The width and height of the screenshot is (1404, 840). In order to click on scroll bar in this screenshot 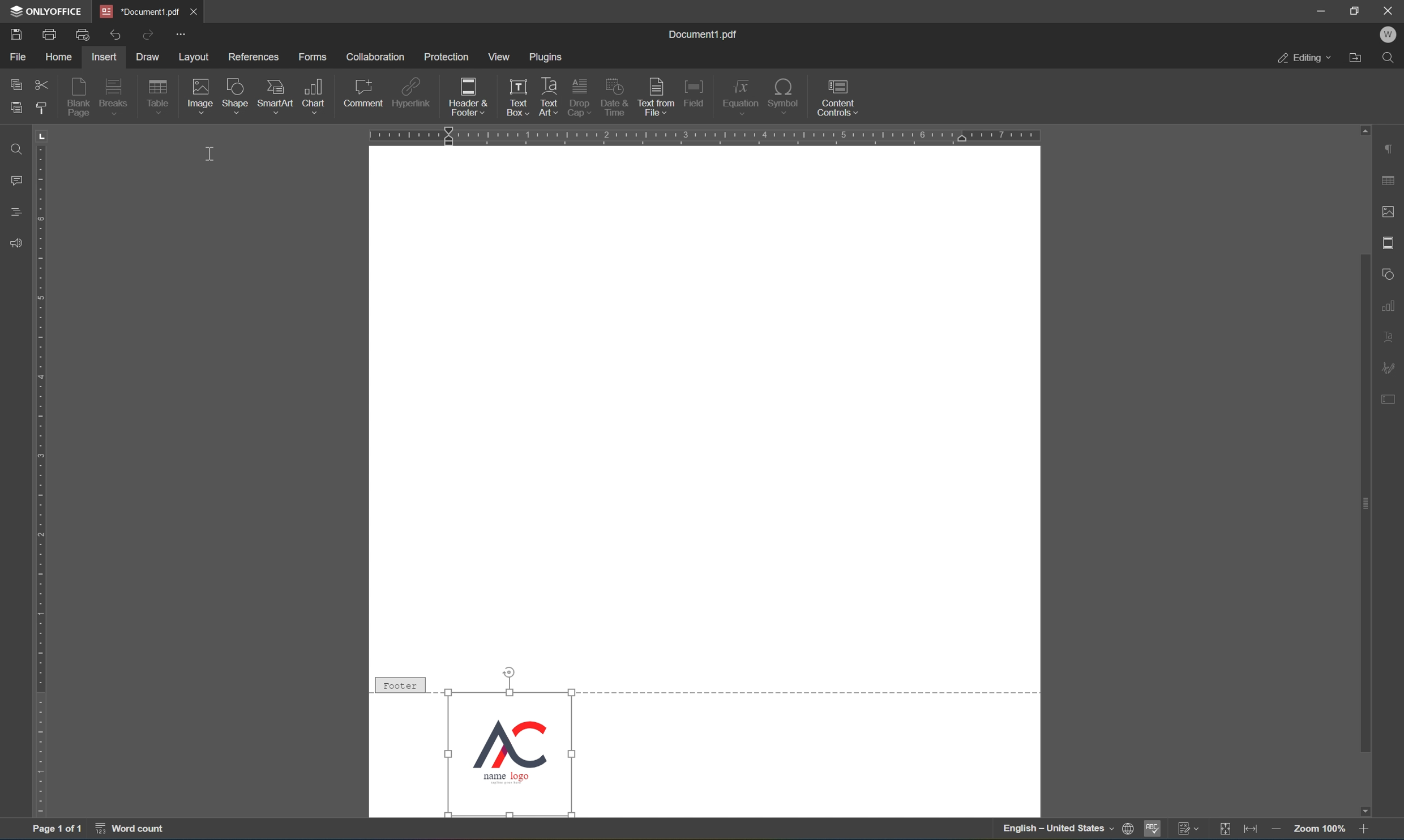, I will do `click(1361, 380)`.